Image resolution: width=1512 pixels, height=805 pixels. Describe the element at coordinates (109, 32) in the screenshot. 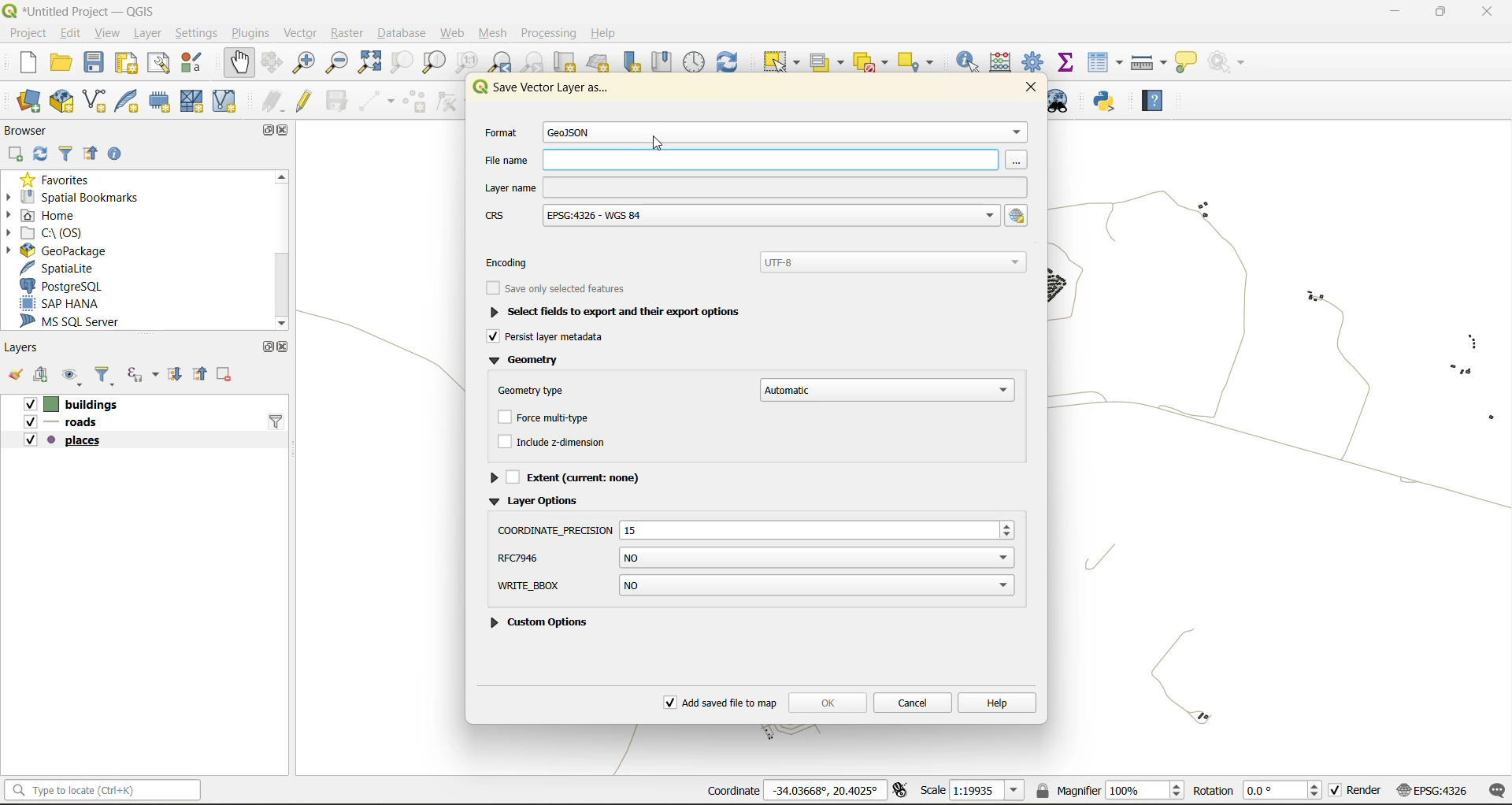

I see `view` at that location.